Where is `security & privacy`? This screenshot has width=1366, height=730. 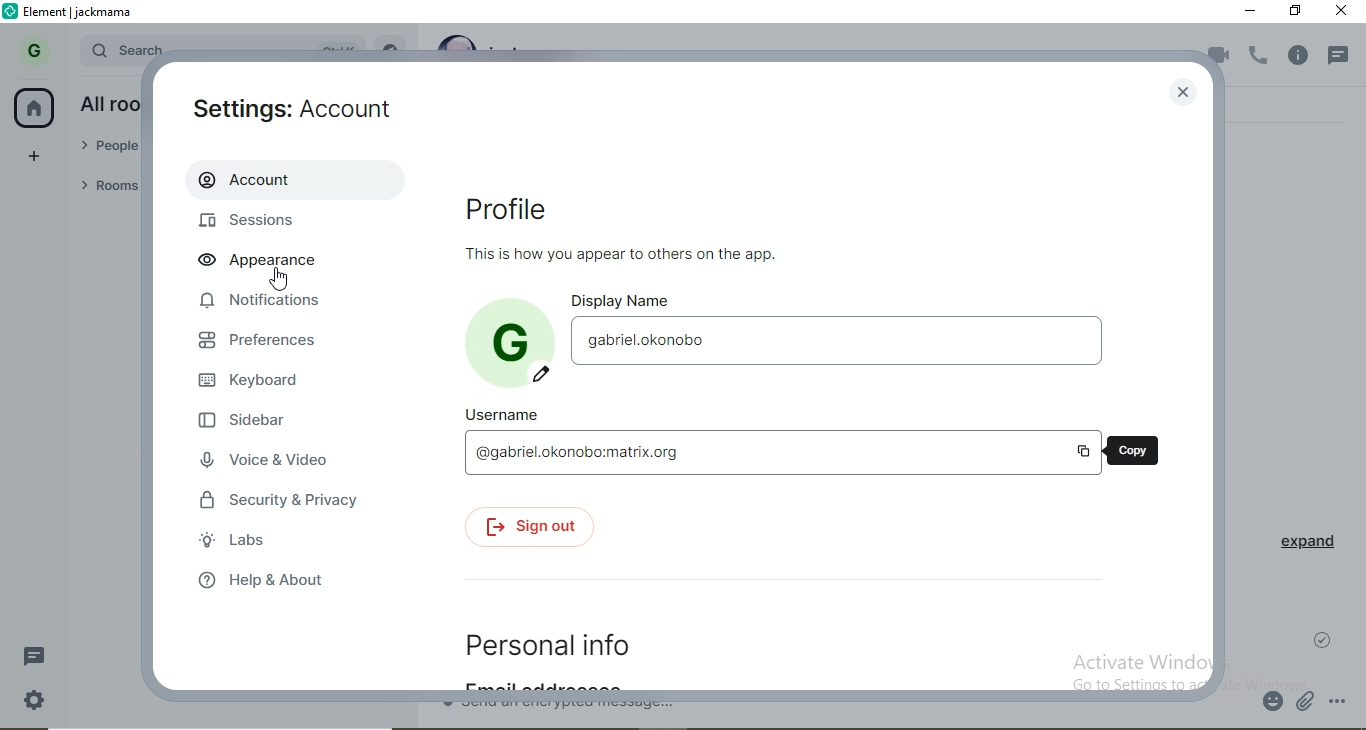 security & privacy is located at coordinates (286, 496).